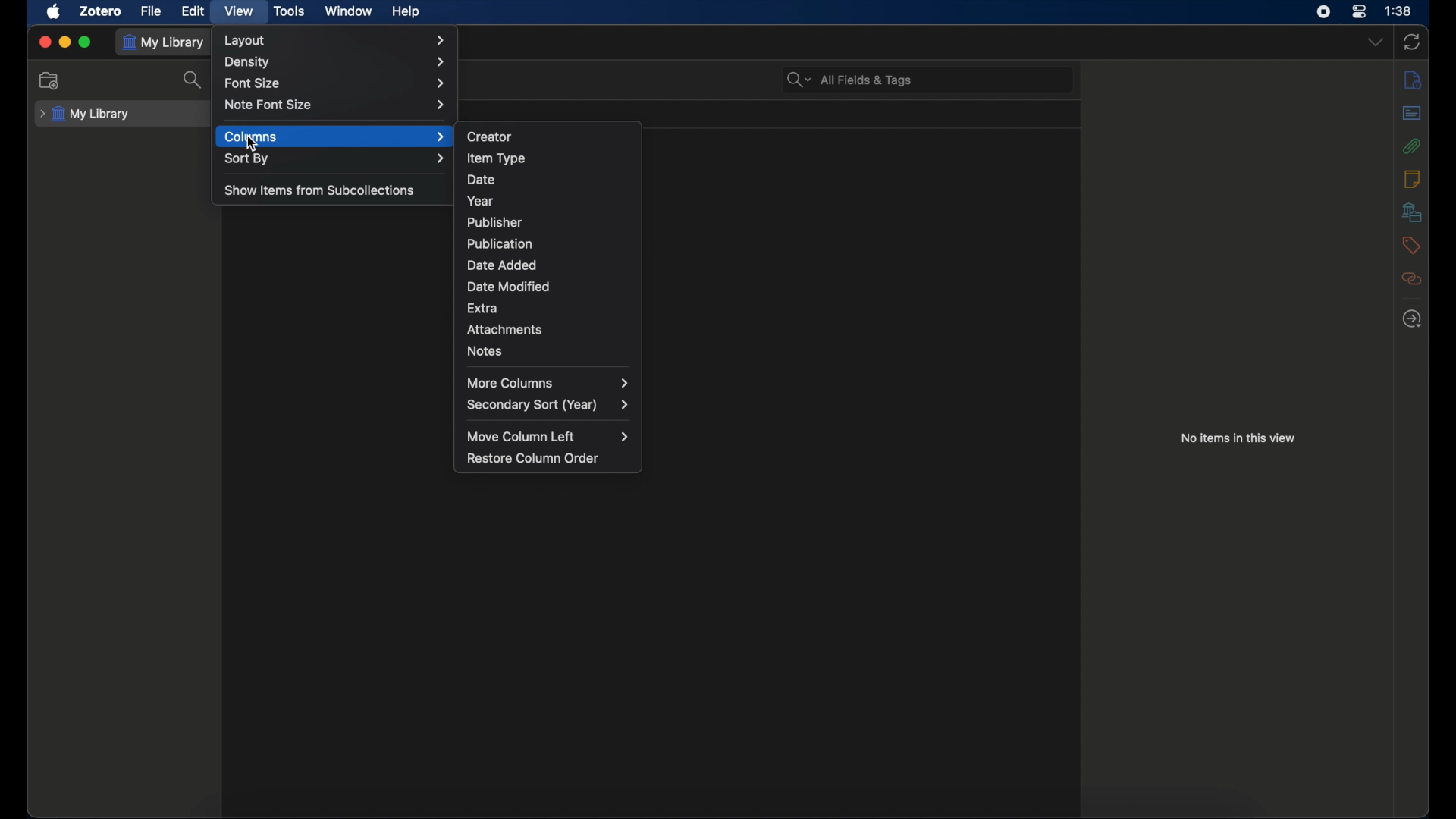 This screenshot has width=1456, height=819. What do you see at coordinates (1398, 11) in the screenshot?
I see `time (1:38)` at bounding box center [1398, 11].